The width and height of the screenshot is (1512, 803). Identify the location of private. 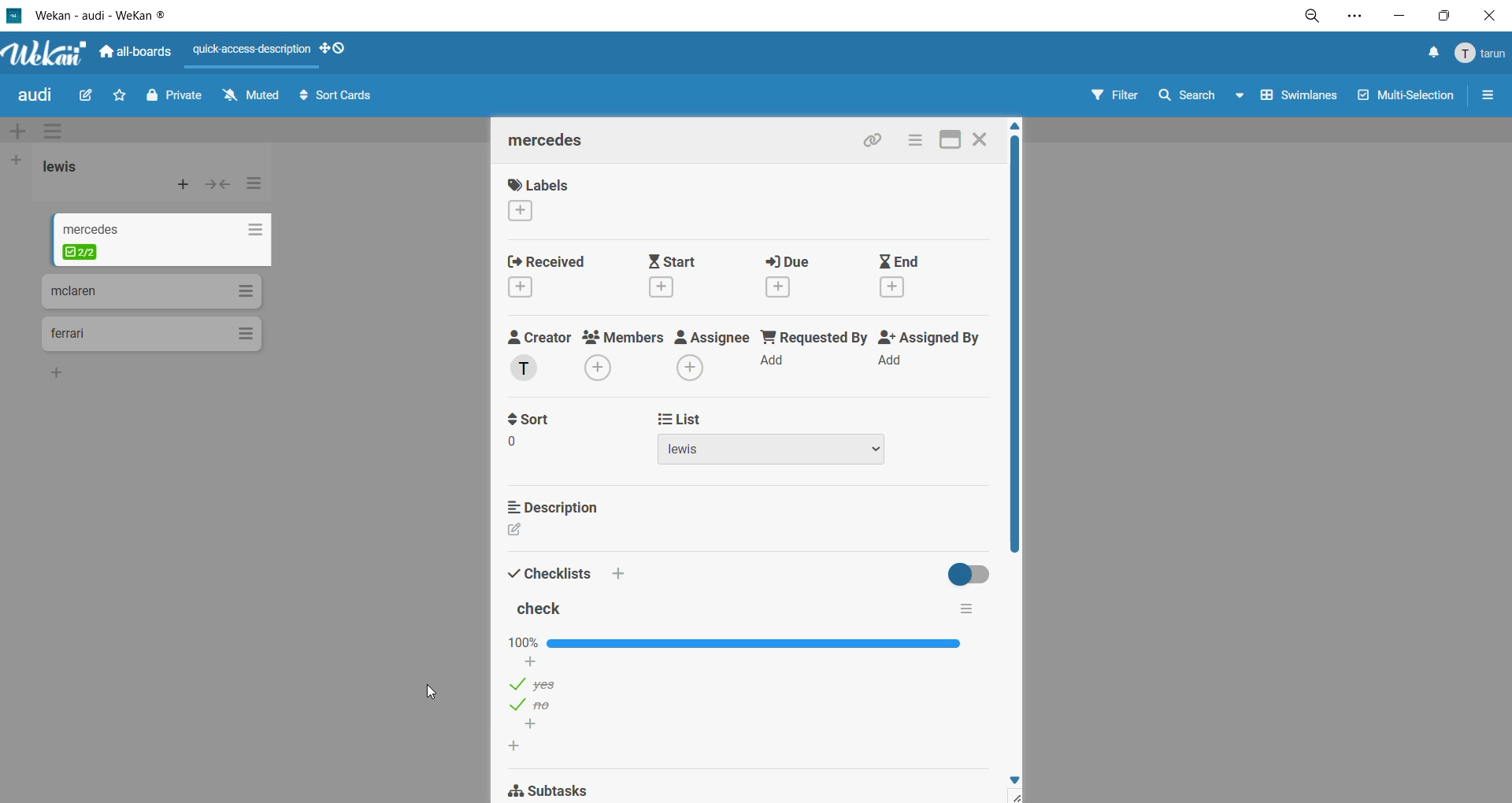
(176, 98).